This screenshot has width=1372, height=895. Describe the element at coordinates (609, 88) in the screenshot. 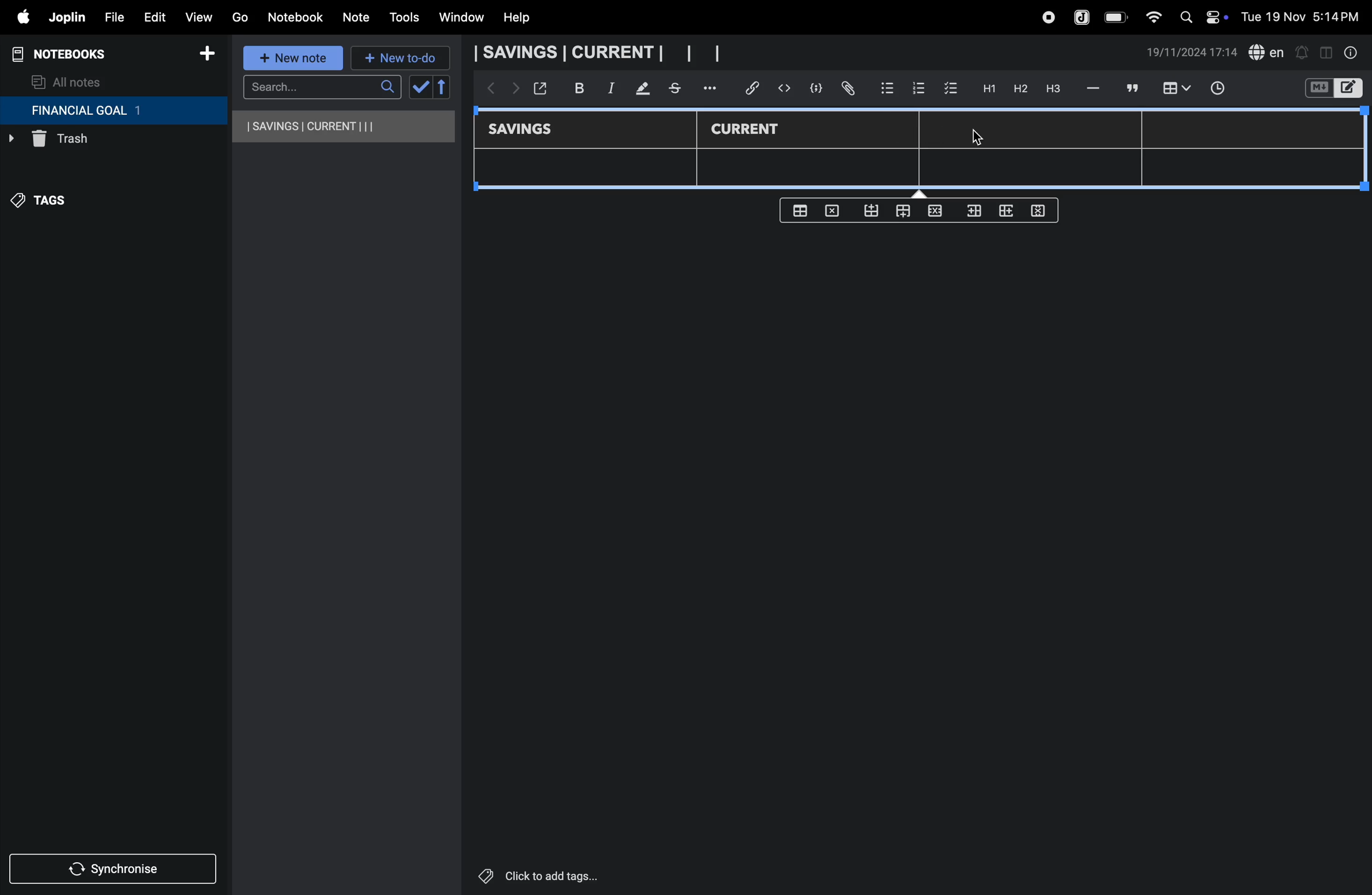

I see `itallic` at that location.